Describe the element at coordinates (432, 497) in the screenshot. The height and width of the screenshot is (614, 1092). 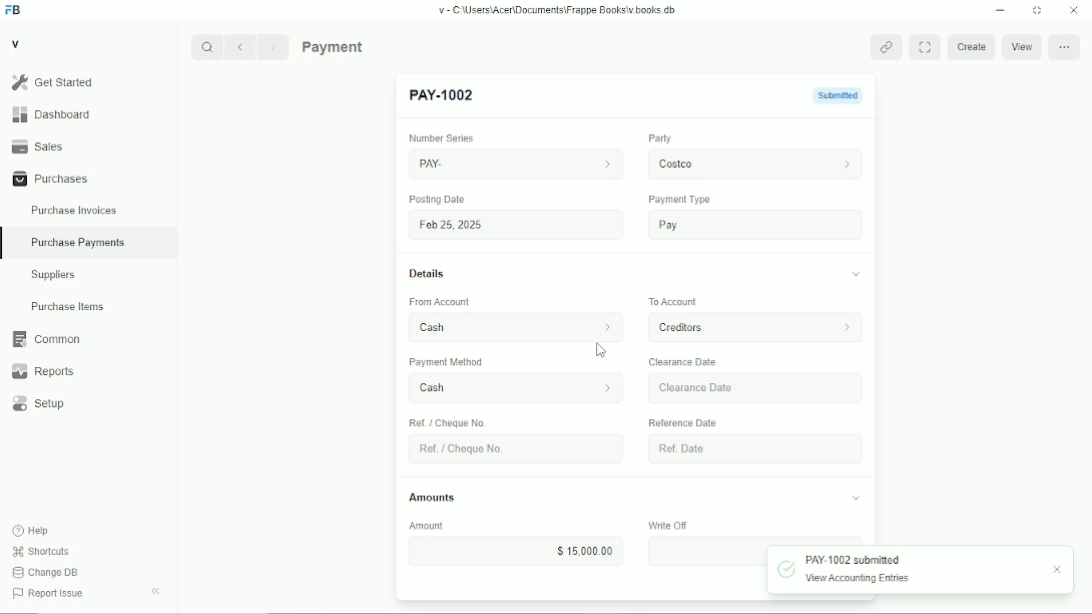
I see `Amounts` at that location.